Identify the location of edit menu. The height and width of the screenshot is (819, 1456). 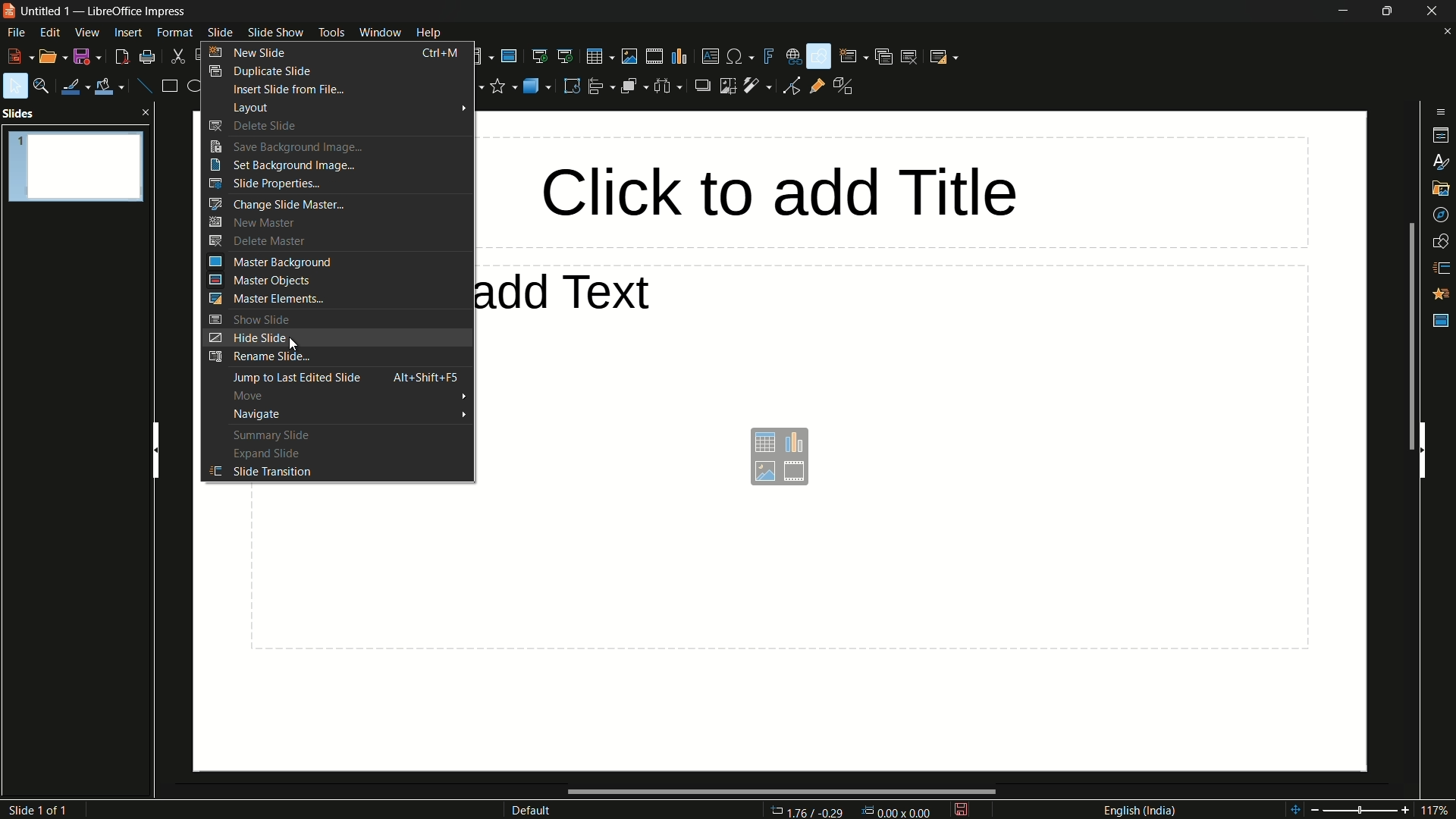
(51, 32).